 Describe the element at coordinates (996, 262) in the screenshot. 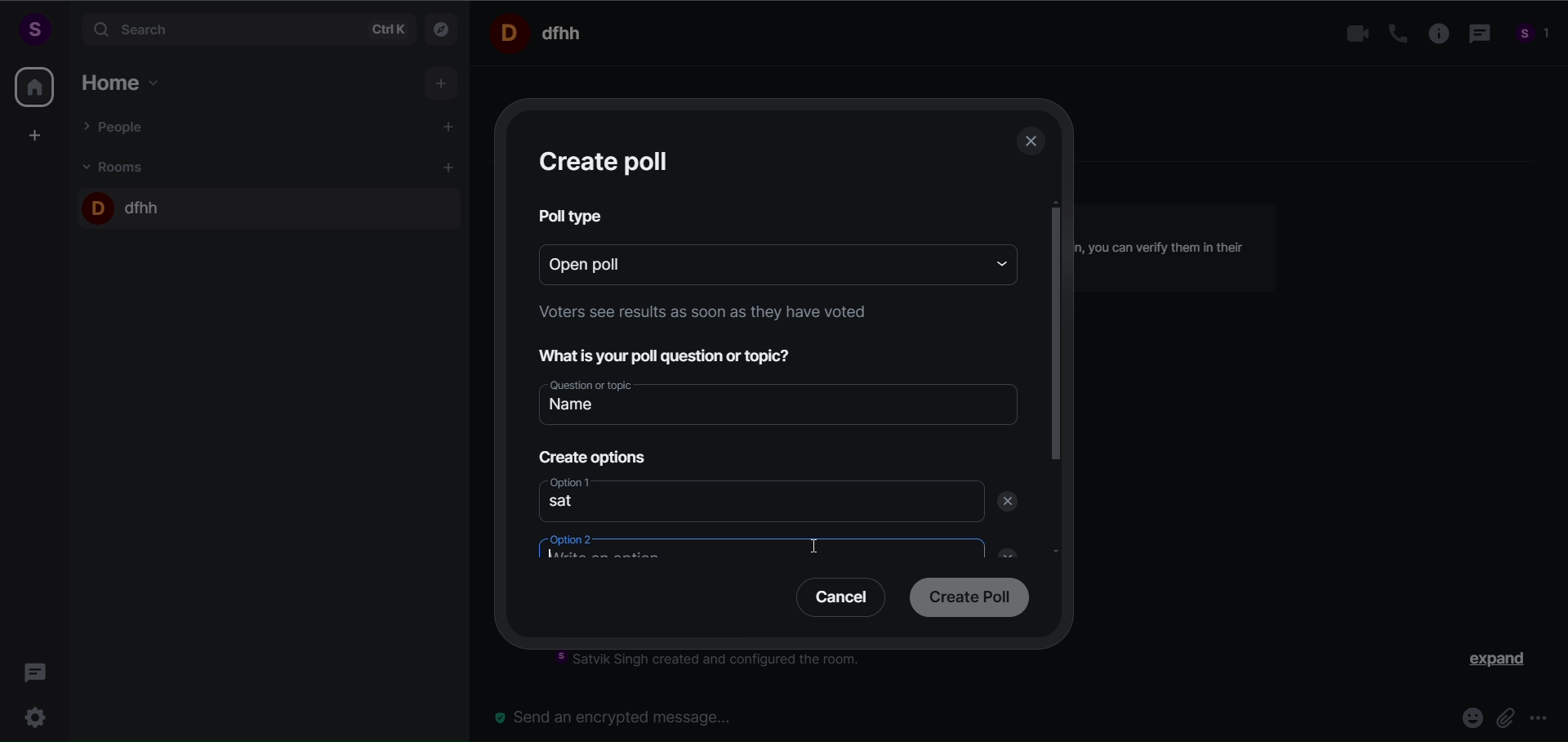

I see `poll type dropdown` at that location.